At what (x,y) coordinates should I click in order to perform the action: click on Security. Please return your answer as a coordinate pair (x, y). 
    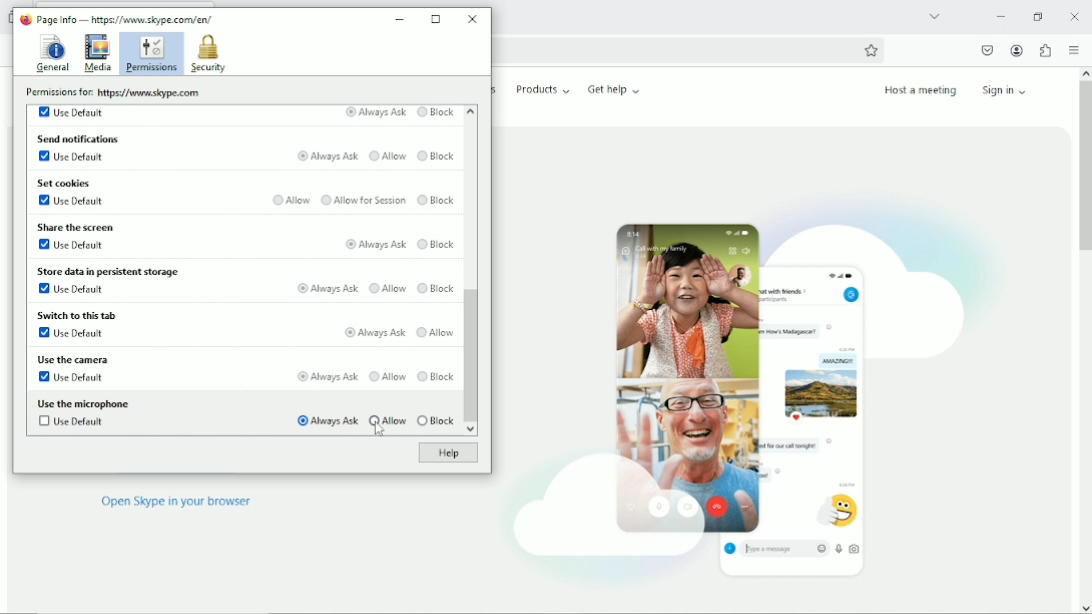
    Looking at the image, I should click on (208, 54).